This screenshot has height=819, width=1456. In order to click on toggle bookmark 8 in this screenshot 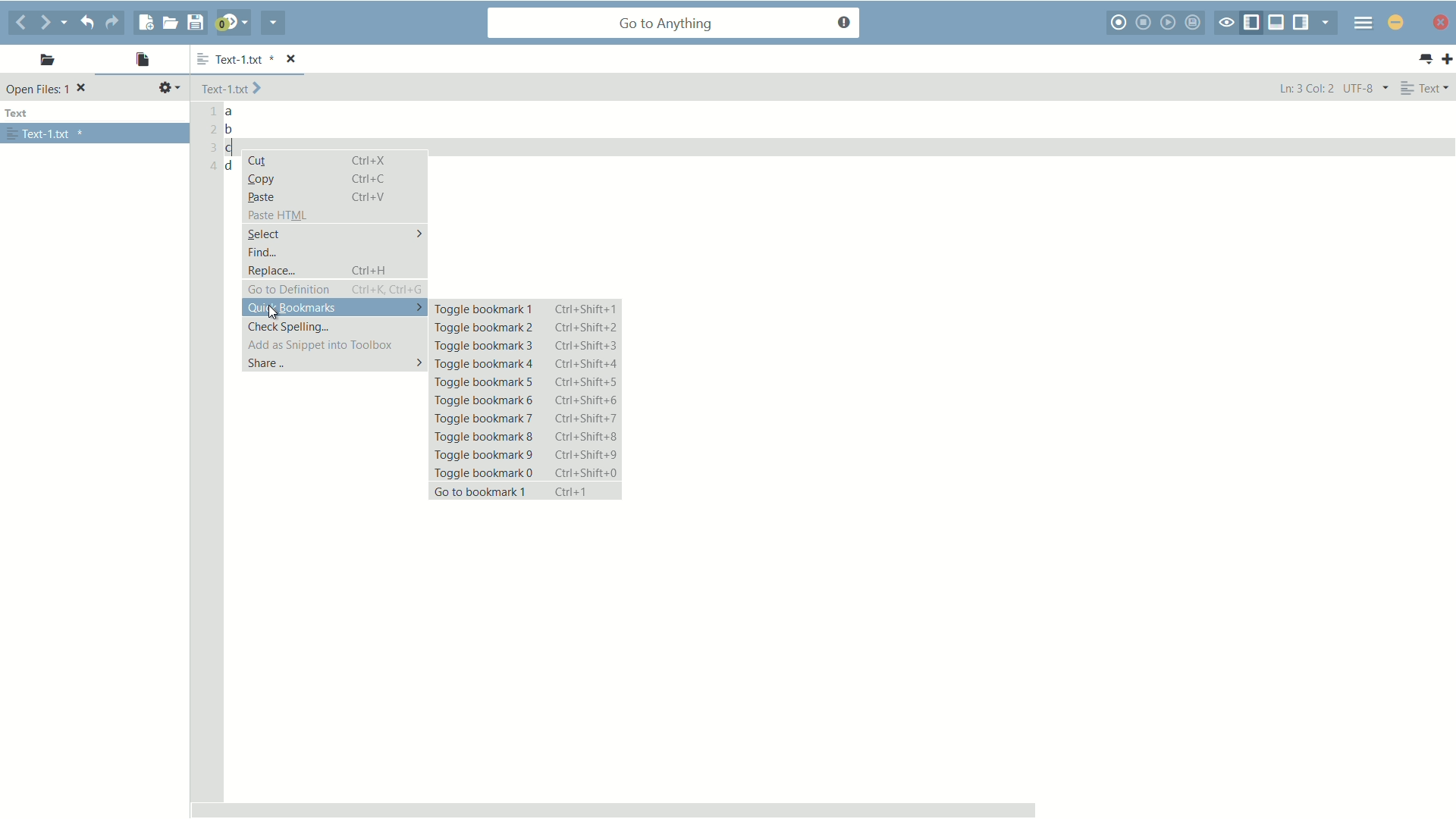, I will do `click(527, 435)`.